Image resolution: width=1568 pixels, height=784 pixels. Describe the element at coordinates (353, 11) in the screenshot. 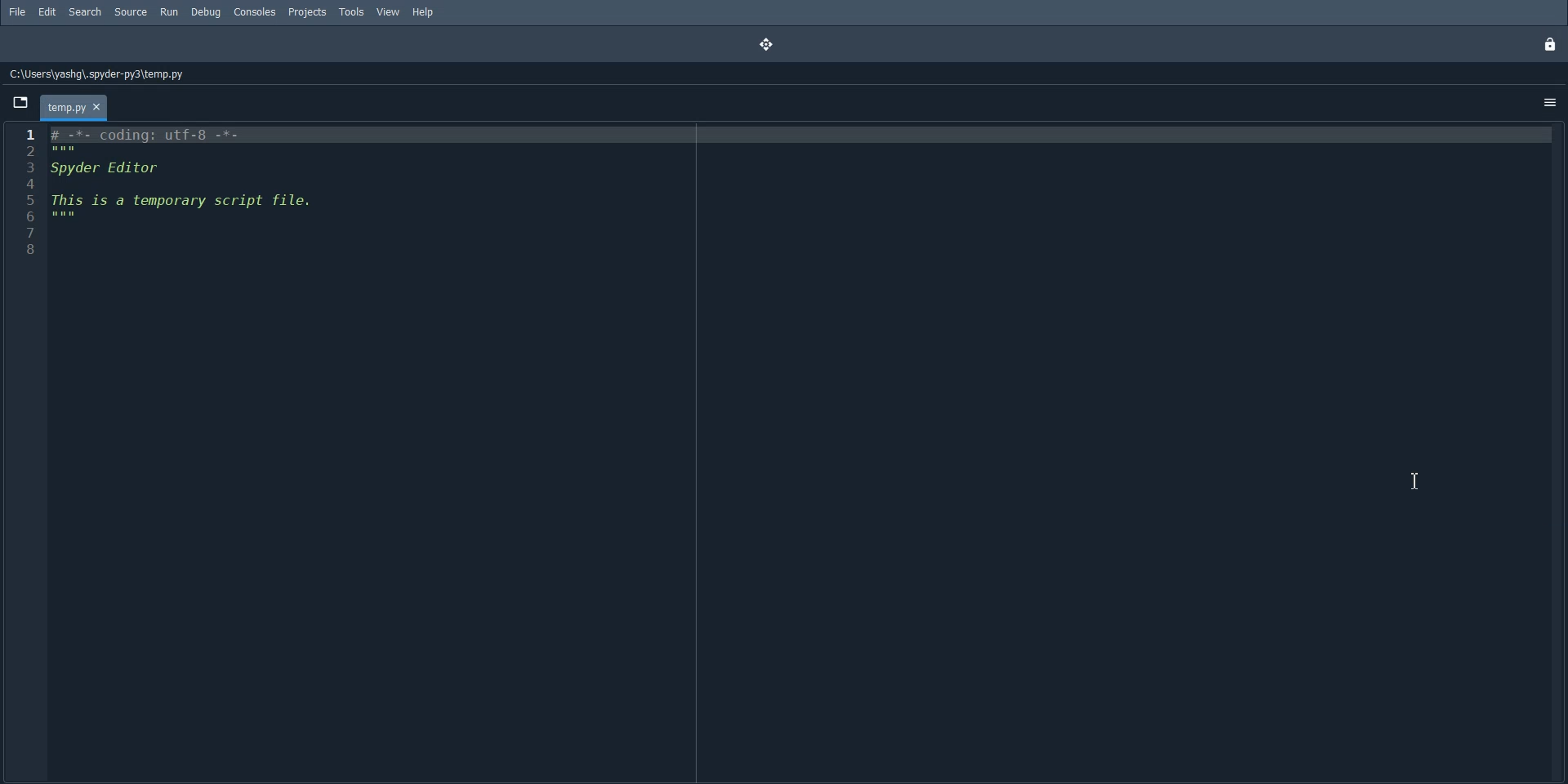

I see `Tools` at that location.